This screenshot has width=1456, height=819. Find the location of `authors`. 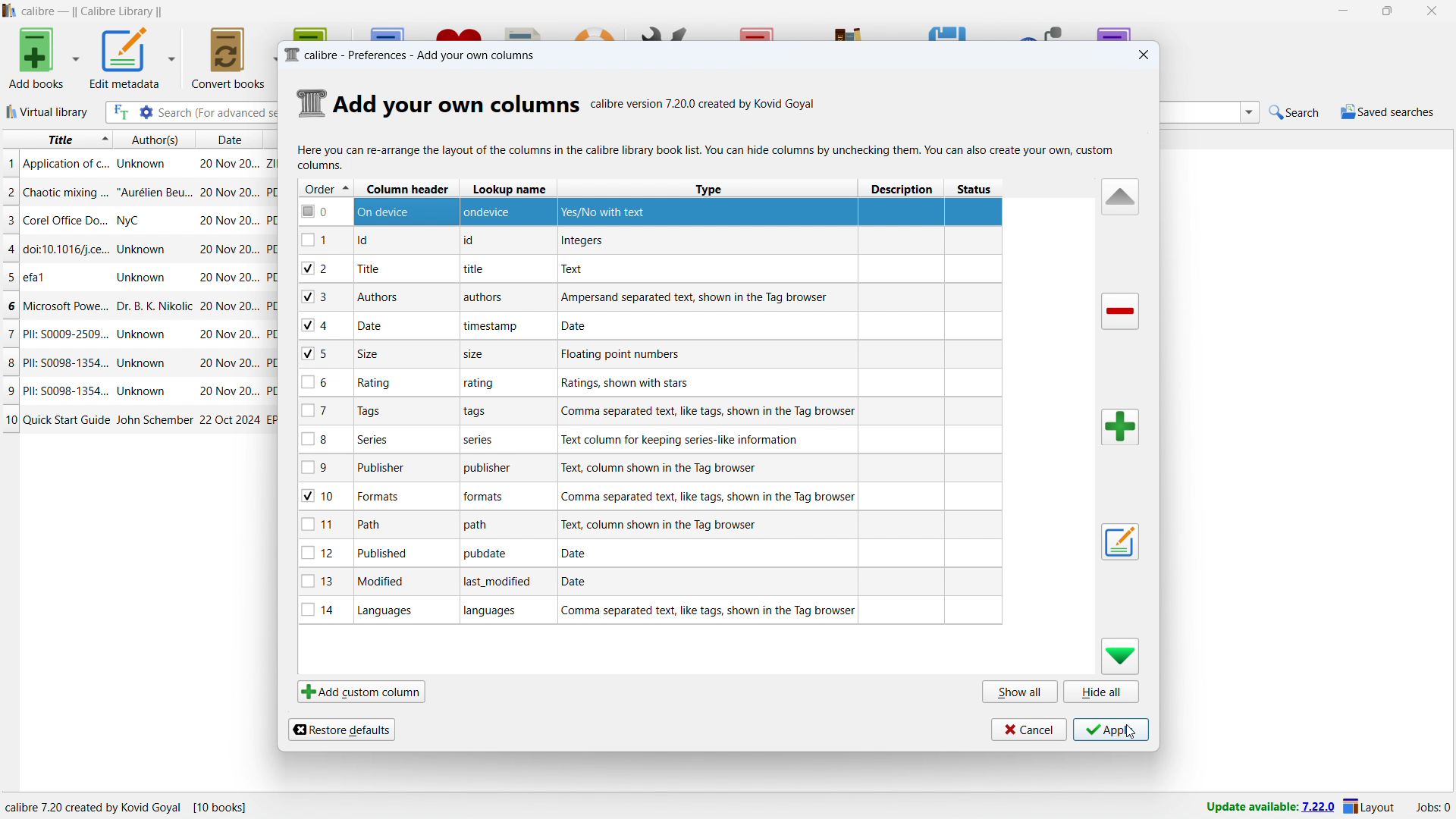

authors is located at coordinates (155, 139).